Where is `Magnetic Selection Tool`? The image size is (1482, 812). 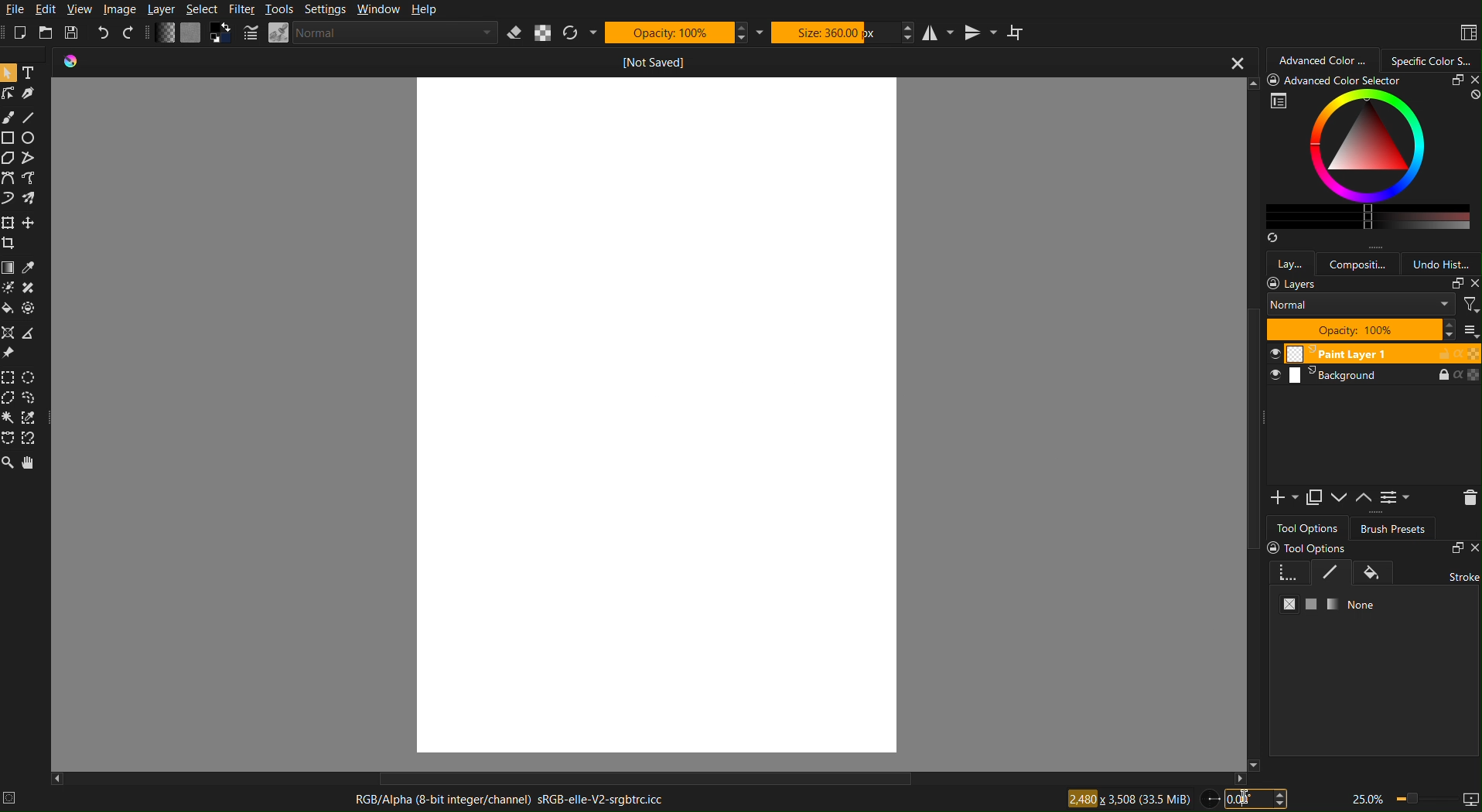 Magnetic Selection Tool is located at coordinates (29, 439).